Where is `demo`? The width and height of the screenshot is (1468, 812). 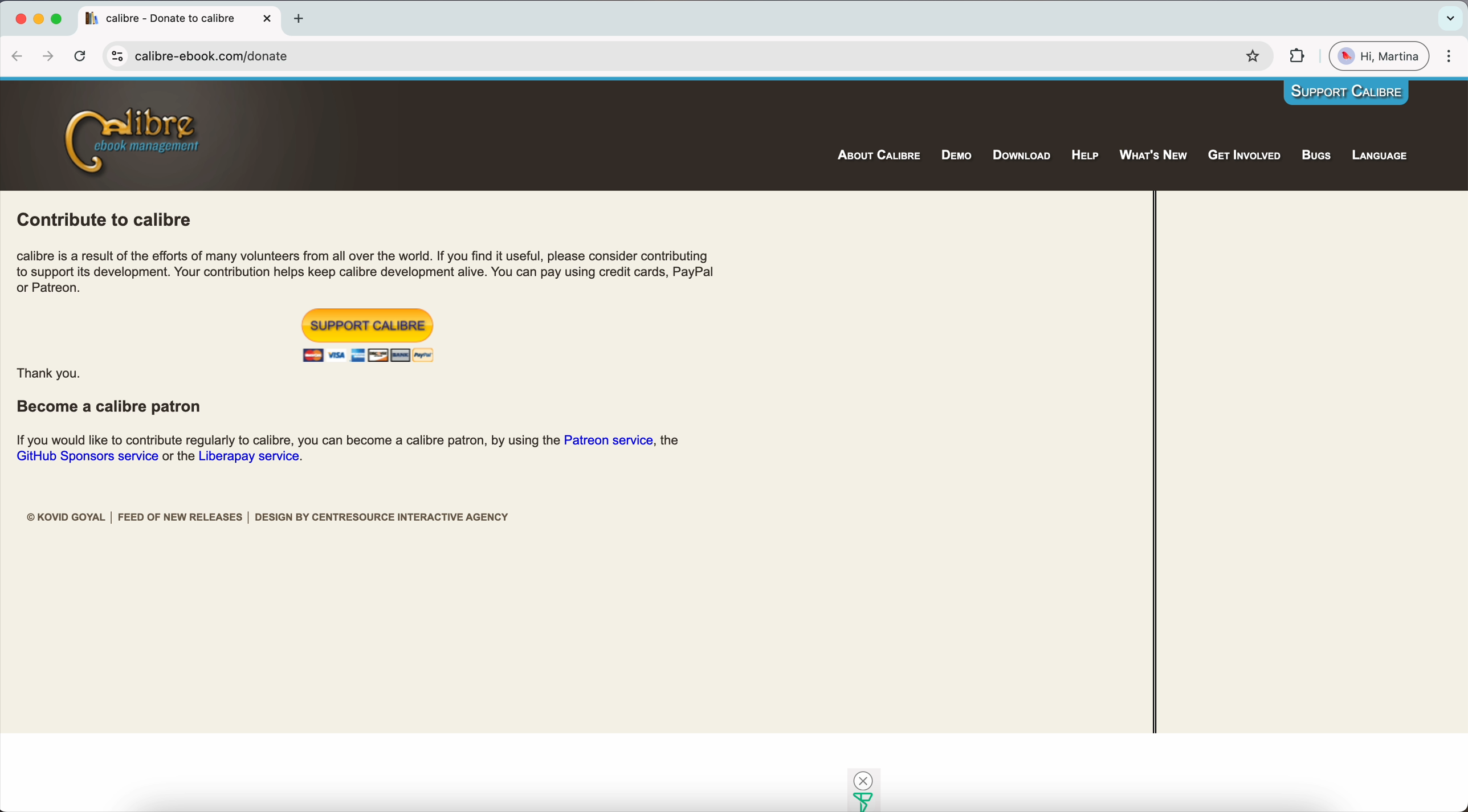 demo is located at coordinates (958, 154).